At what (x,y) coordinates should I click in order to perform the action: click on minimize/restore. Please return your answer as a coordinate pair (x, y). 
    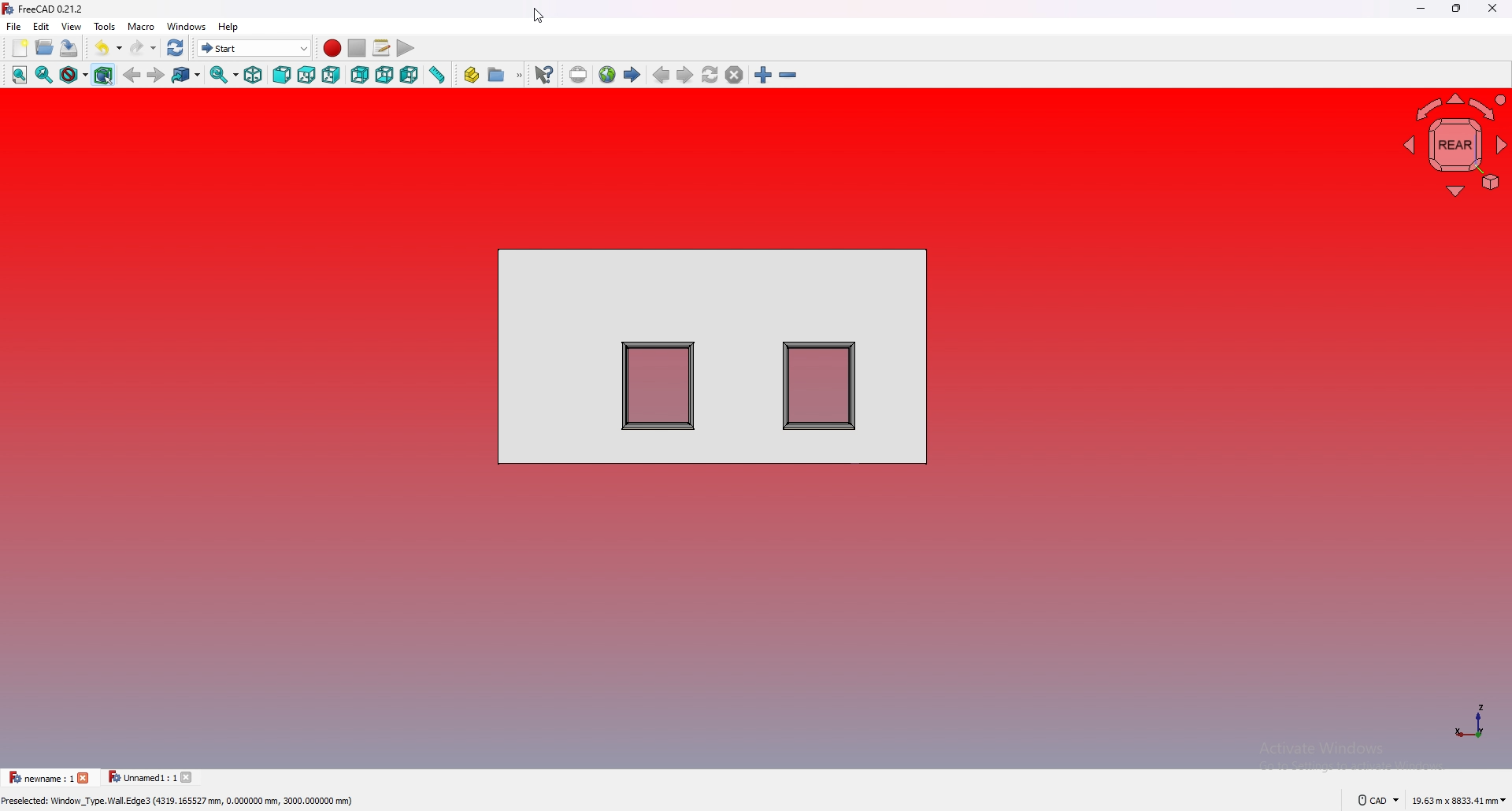
    Looking at the image, I should click on (1458, 8).